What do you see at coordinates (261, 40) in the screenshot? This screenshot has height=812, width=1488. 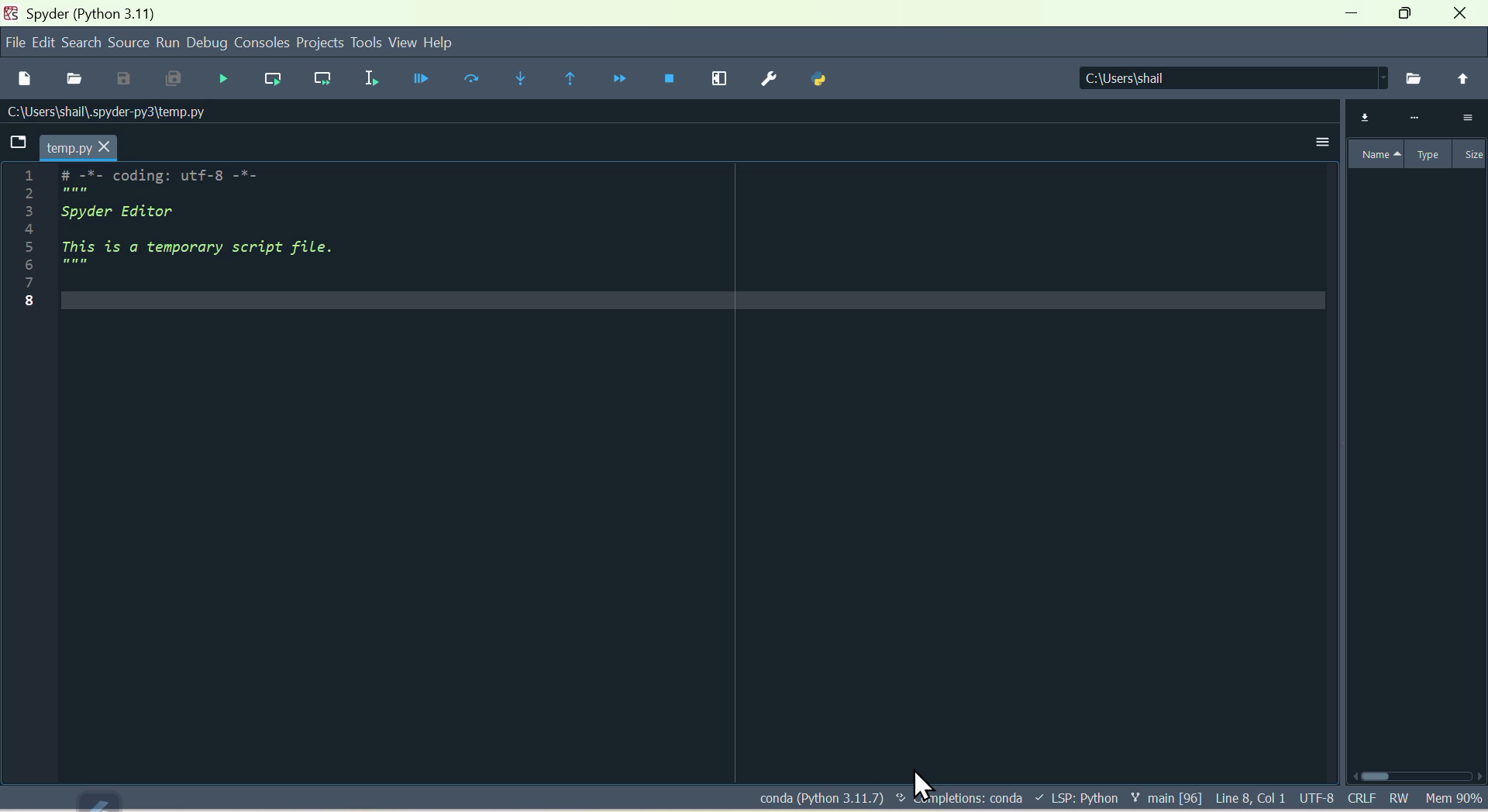 I see `Consoles` at bounding box center [261, 40].